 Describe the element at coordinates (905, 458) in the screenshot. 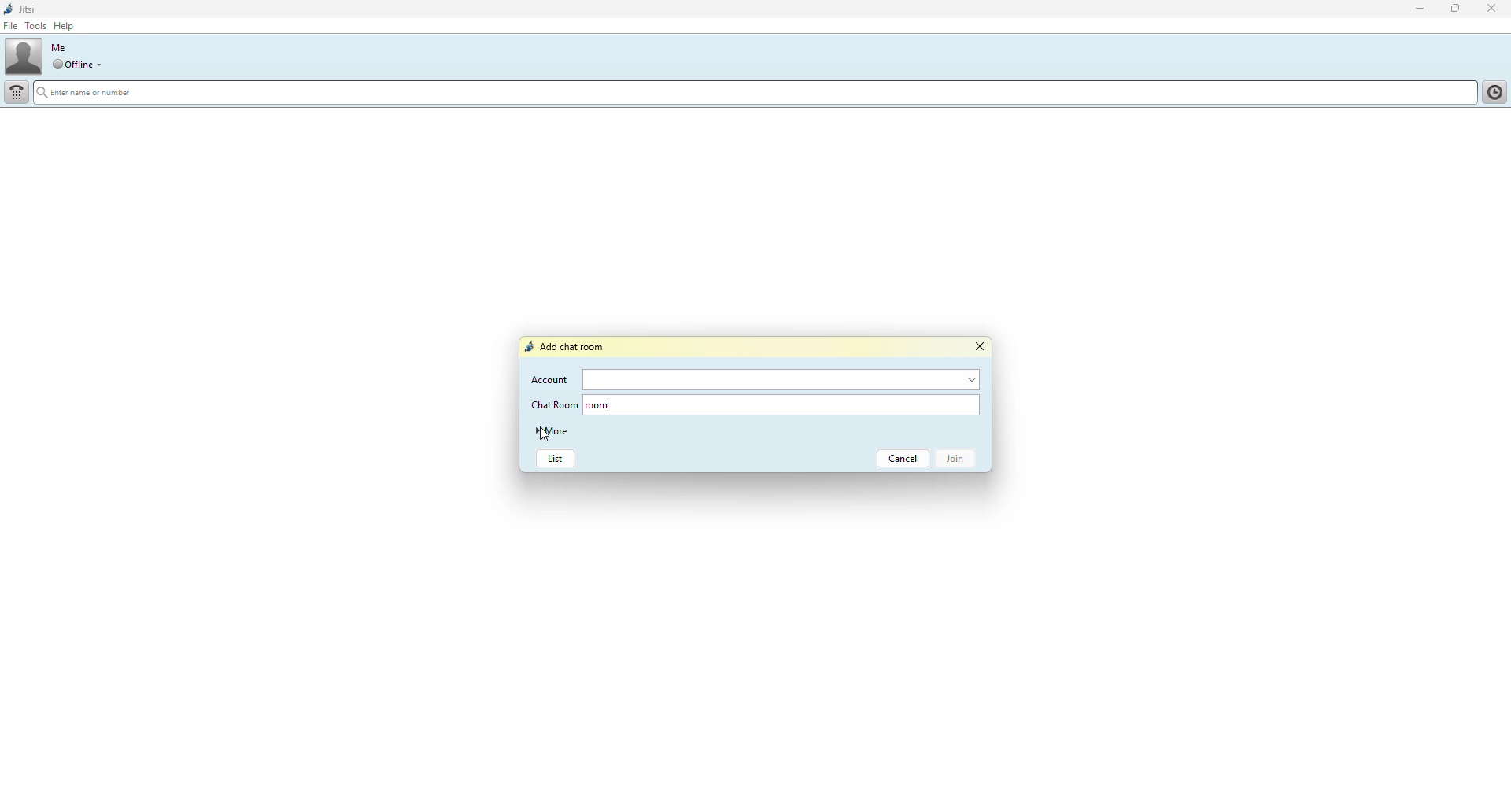

I see `cancel` at that location.